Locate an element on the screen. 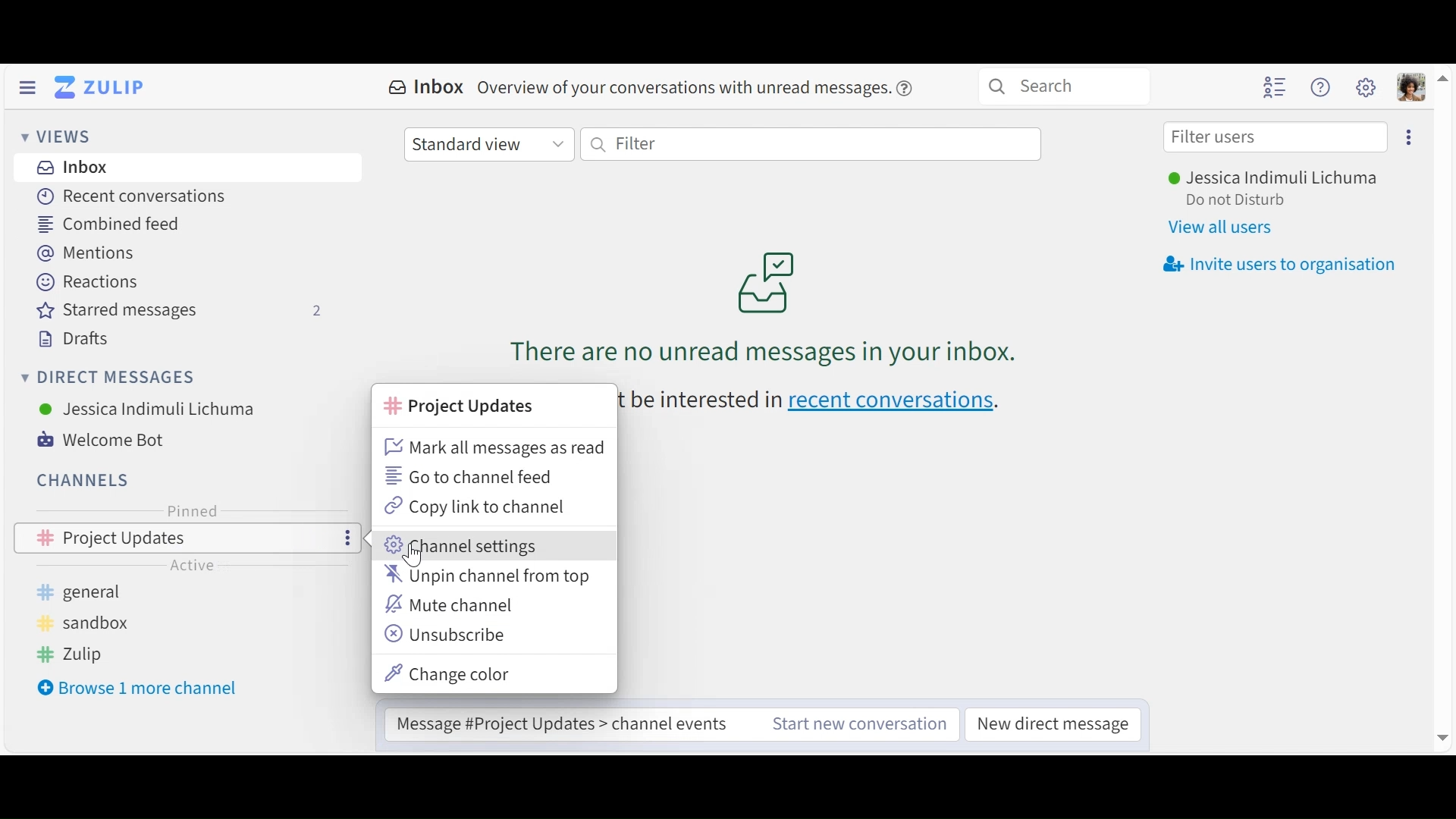 This screenshot has width=1456, height=819. Channel is located at coordinates (85, 480).